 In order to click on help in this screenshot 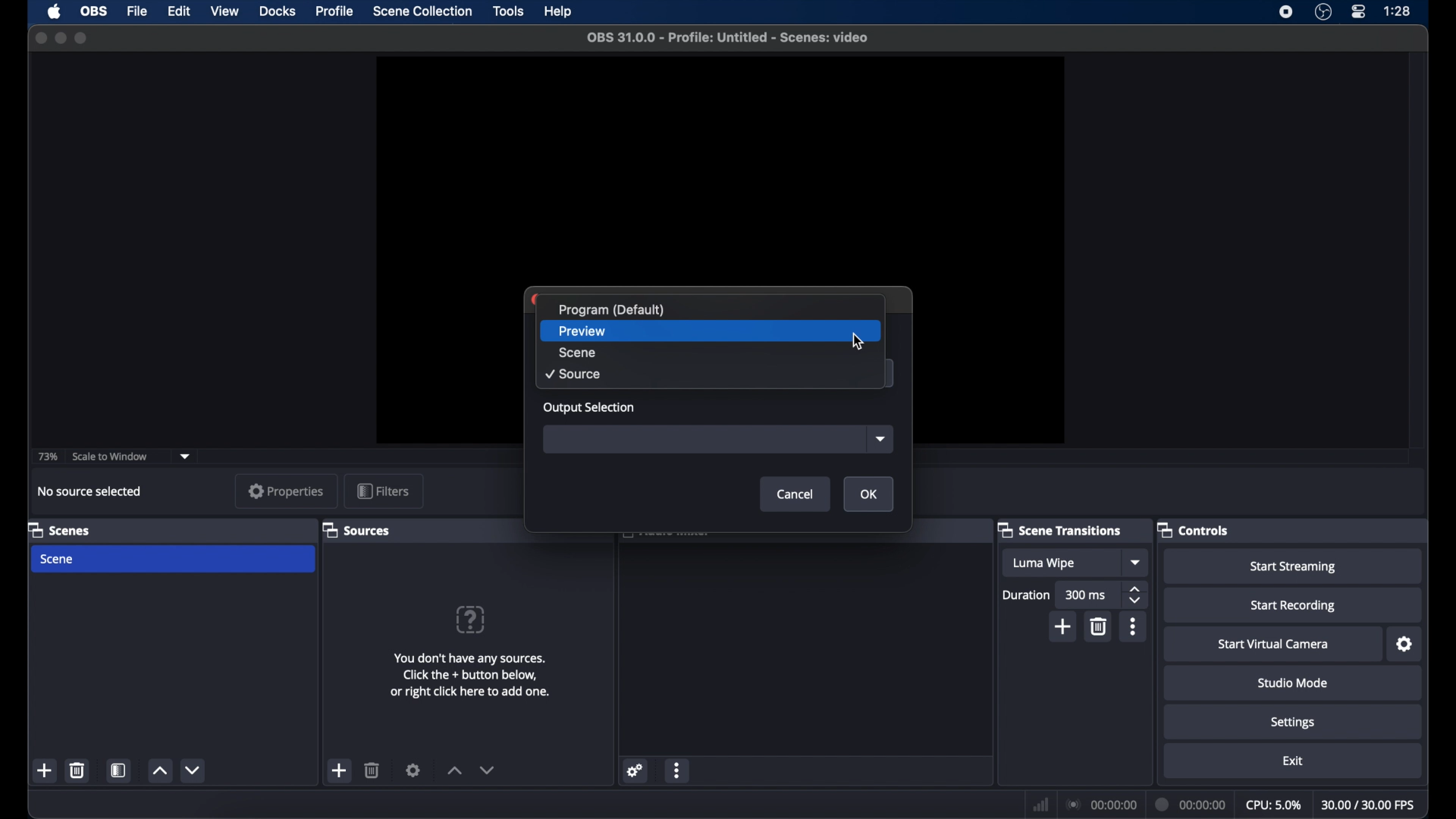, I will do `click(560, 12)`.